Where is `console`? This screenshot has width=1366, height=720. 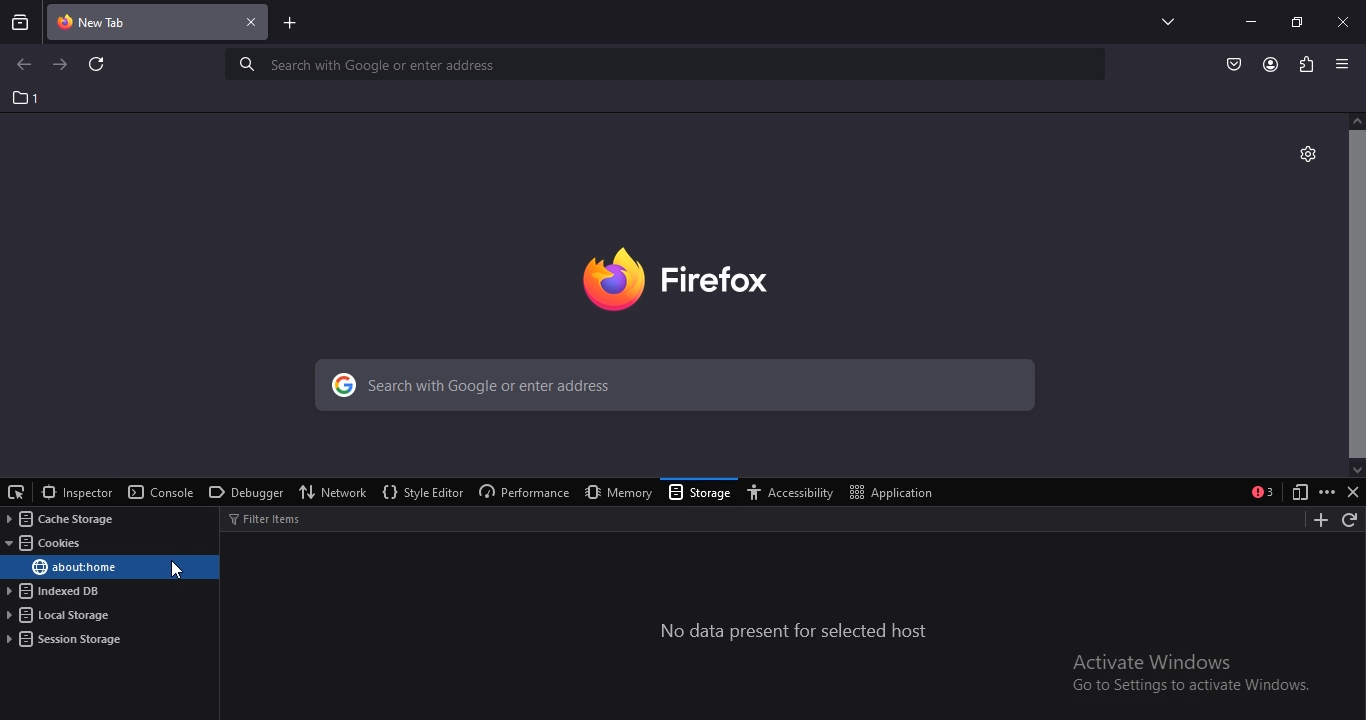 console is located at coordinates (161, 493).